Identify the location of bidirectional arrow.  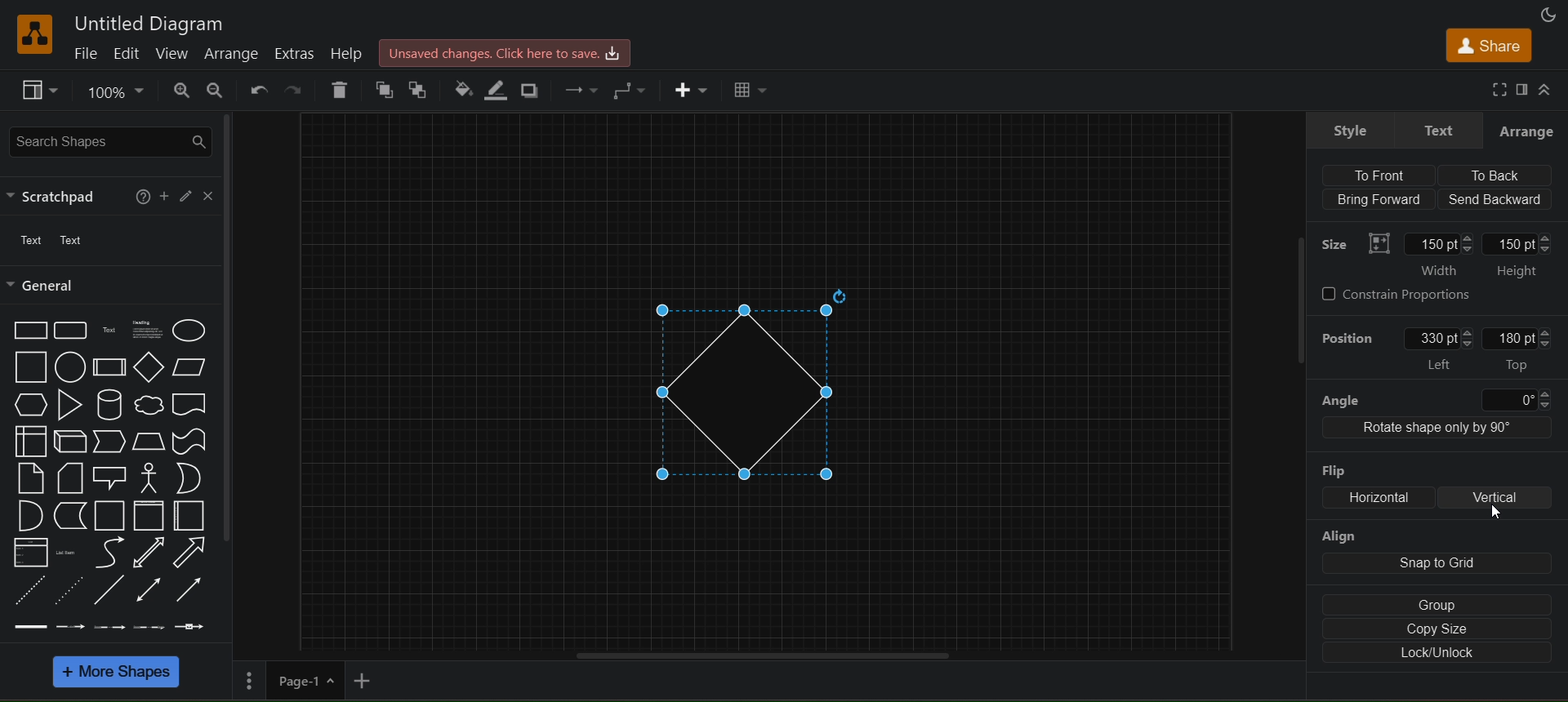
(149, 551).